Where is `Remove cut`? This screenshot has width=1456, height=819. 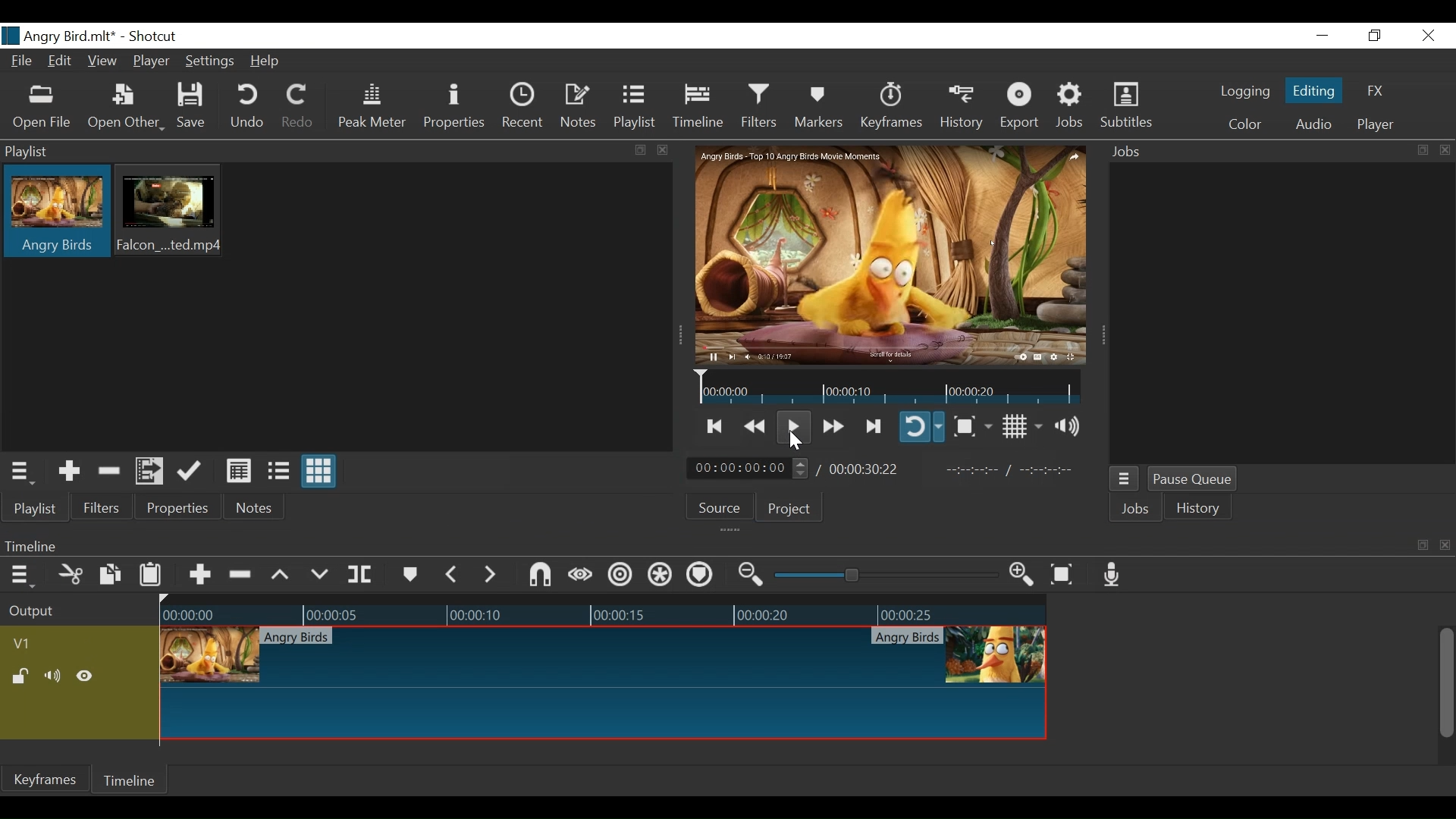 Remove cut is located at coordinates (110, 471).